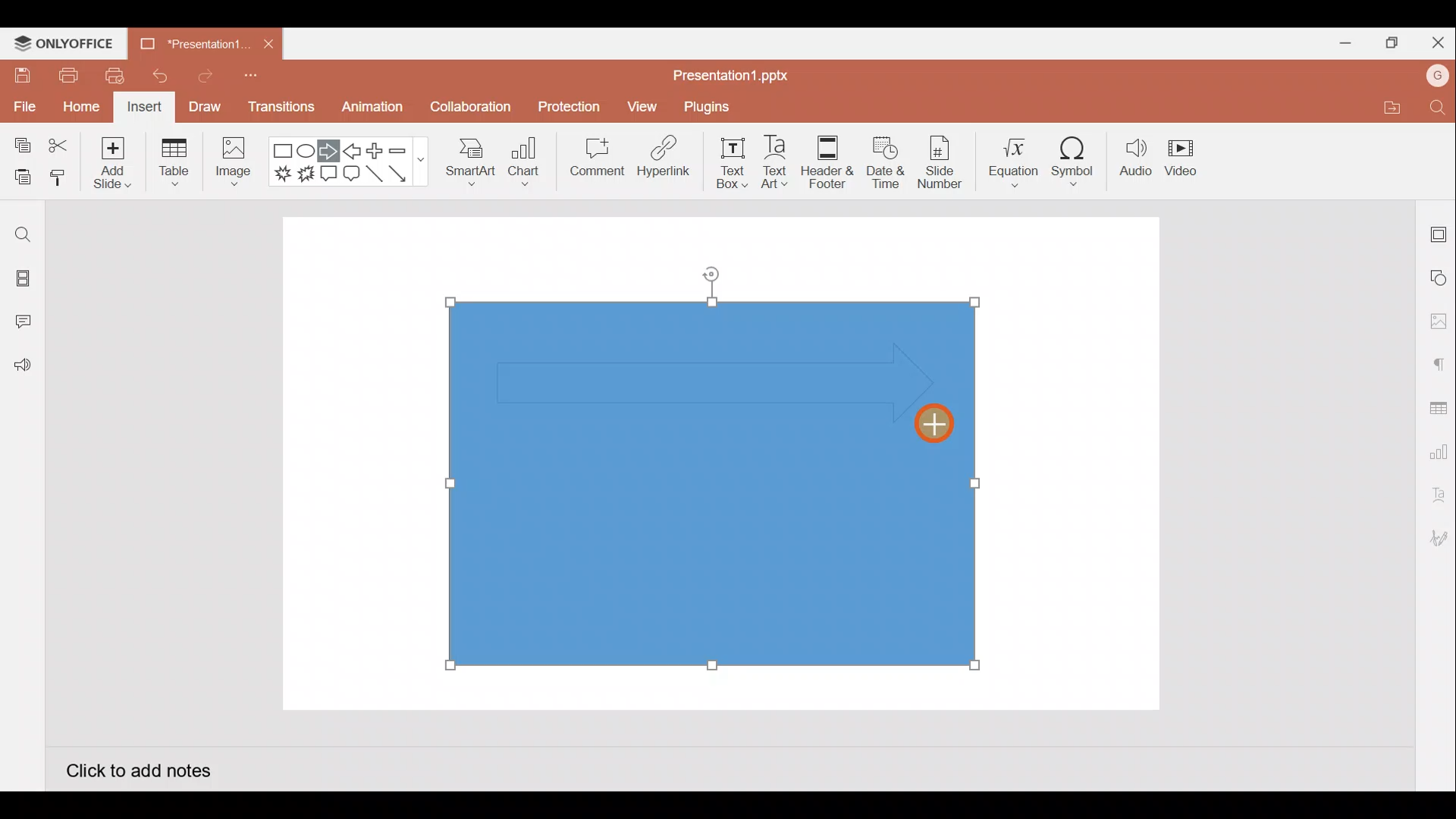  What do you see at coordinates (1439, 277) in the screenshot?
I see `Shape settings` at bounding box center [1439, 277].